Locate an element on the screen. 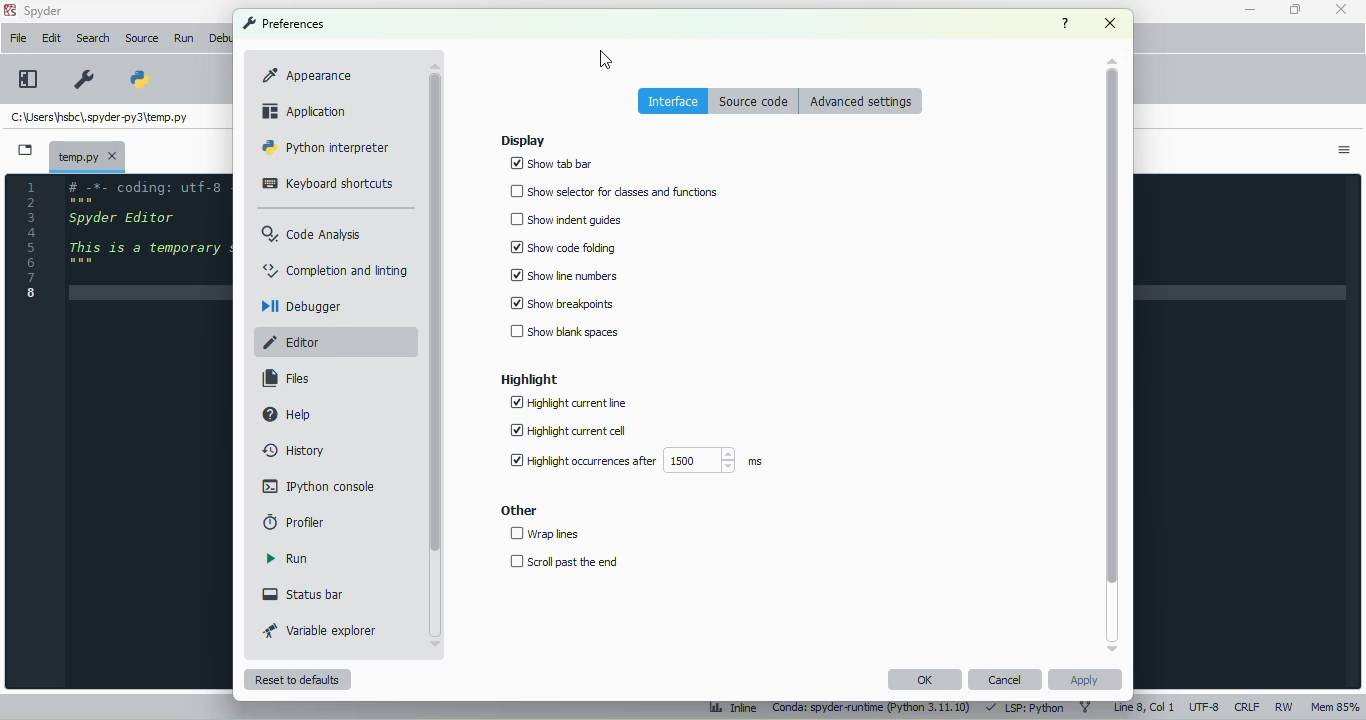 This screenshot has height=720, width=1366. browse tabs is located at coordinates (25, 150).